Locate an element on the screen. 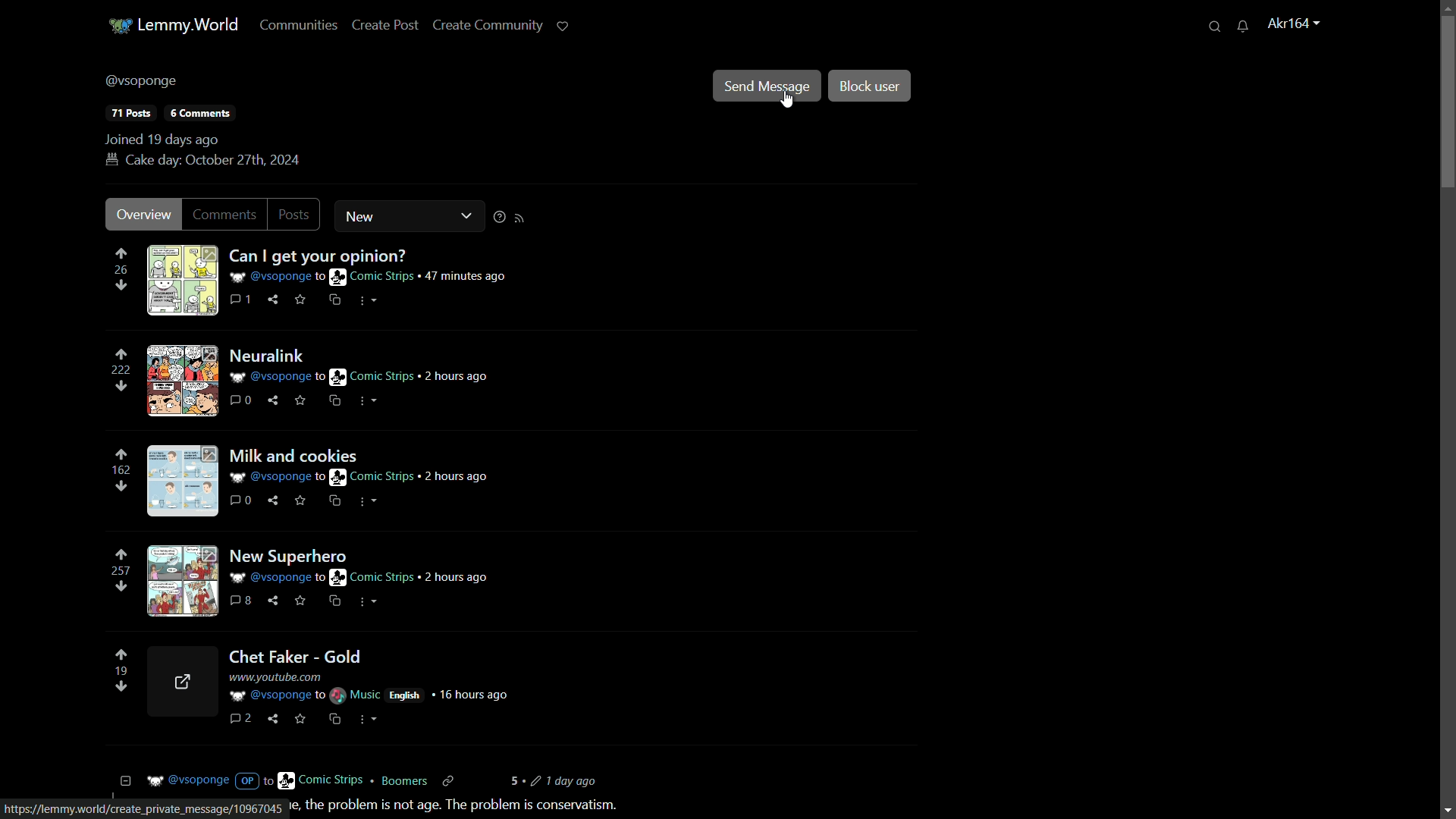 Image resolution: width=1456 pixels, height=819 pixels. t is located at coordinates (459, 805).